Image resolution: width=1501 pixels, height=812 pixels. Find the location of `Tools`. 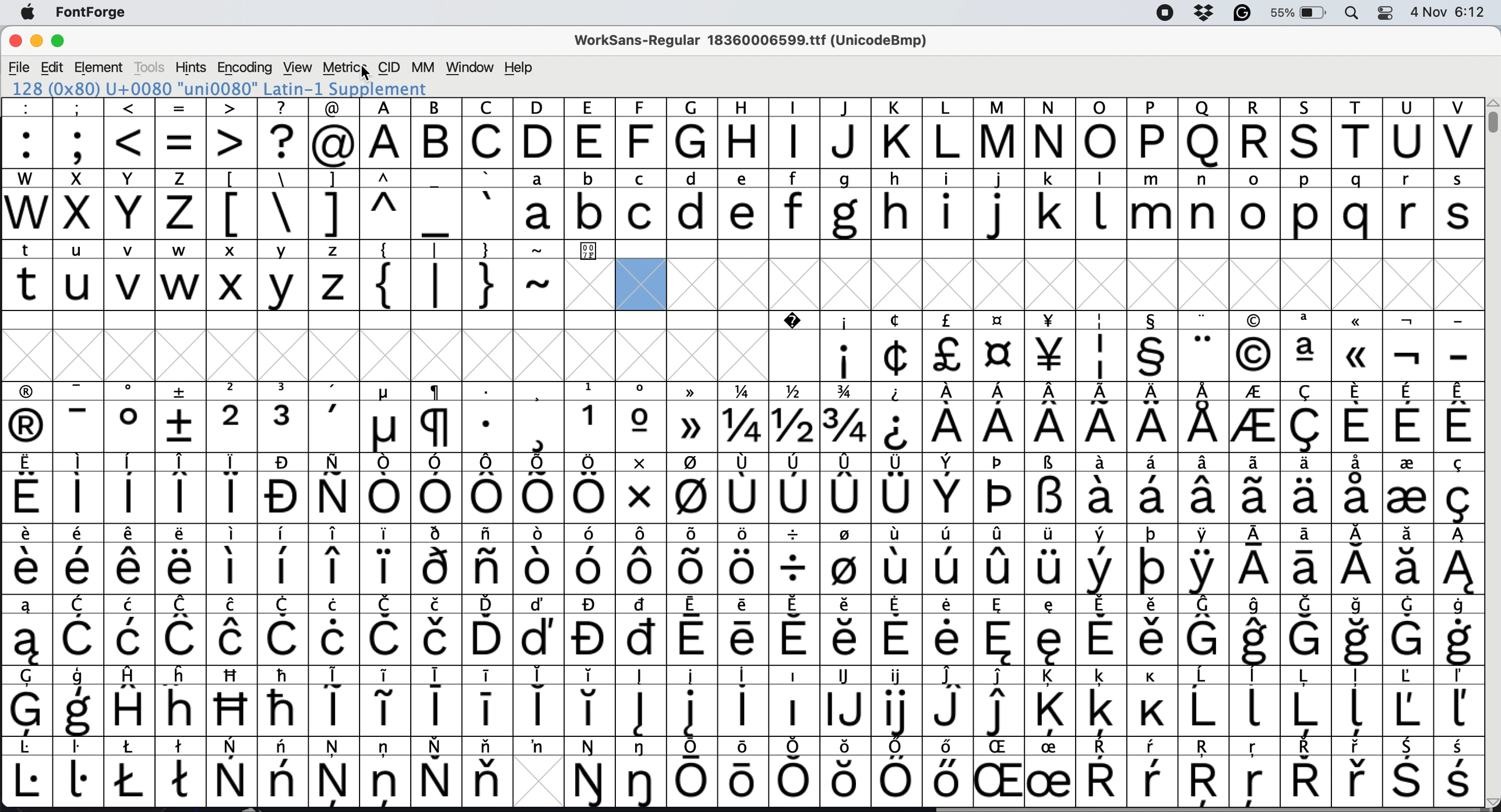

Tools is located at coordinates (147, 68).